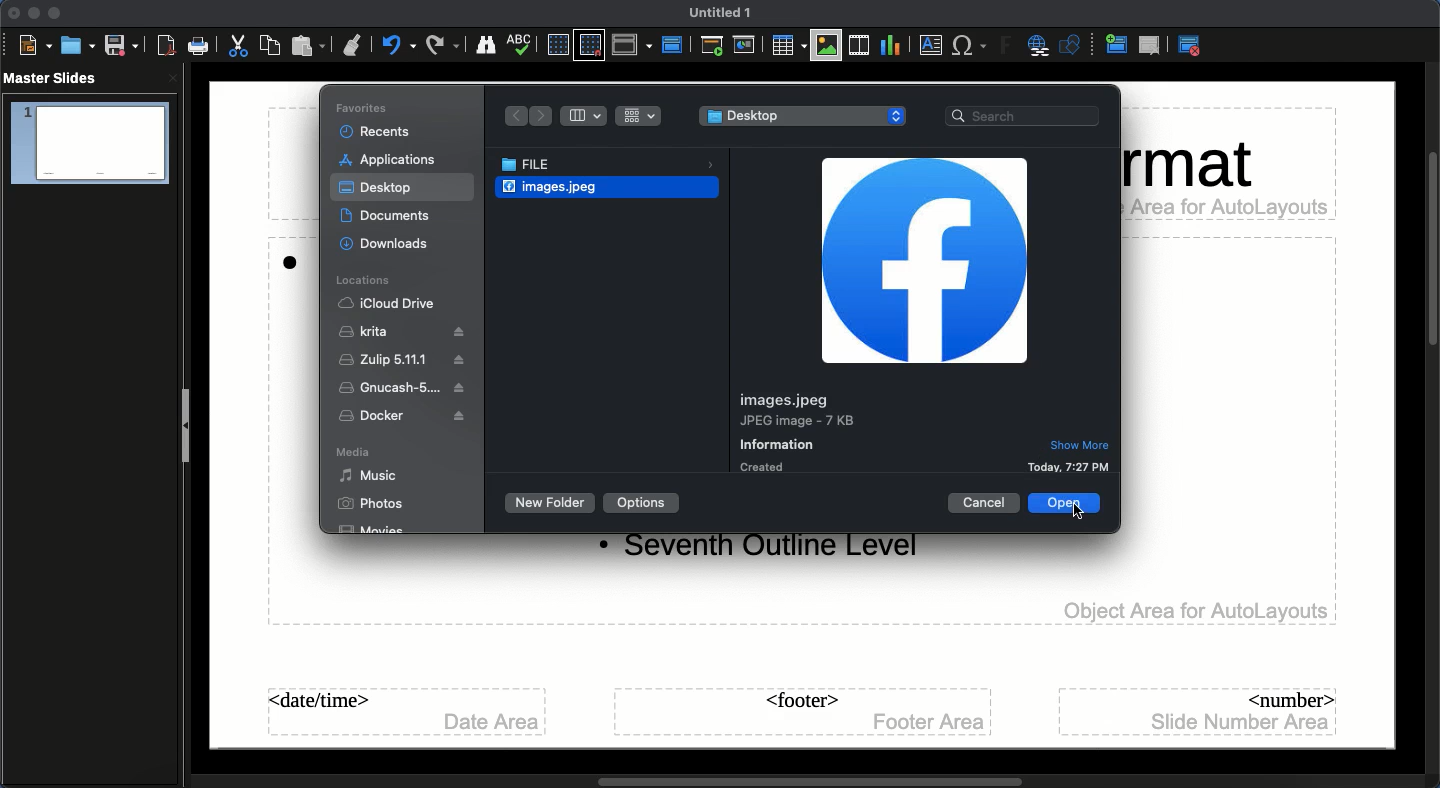 This screenshot has height=788, width=1440. I want to click on Fontwork, so click(1003, 45).